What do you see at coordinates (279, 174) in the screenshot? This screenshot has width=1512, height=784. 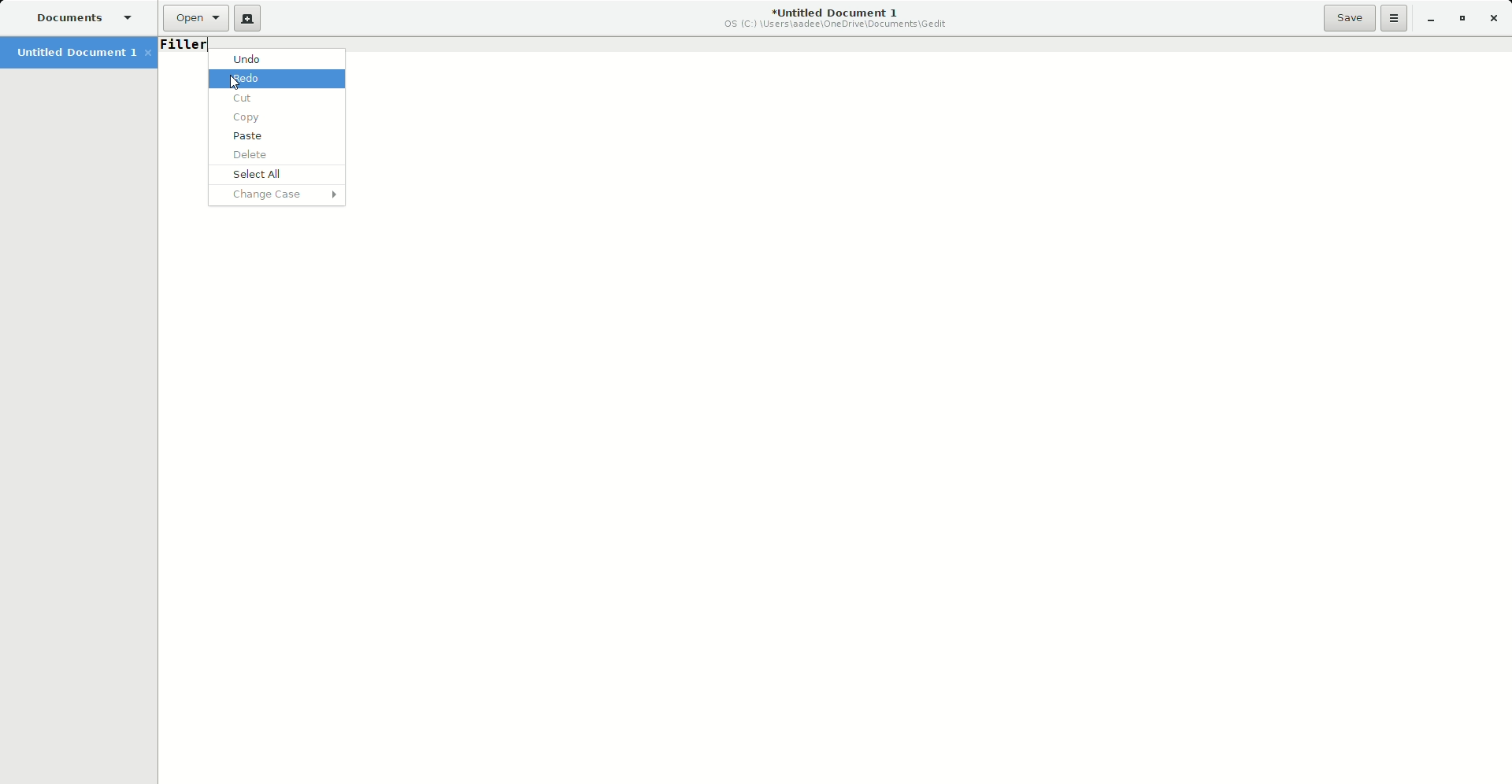 I see `Select All` at bounding box center [279, 174].